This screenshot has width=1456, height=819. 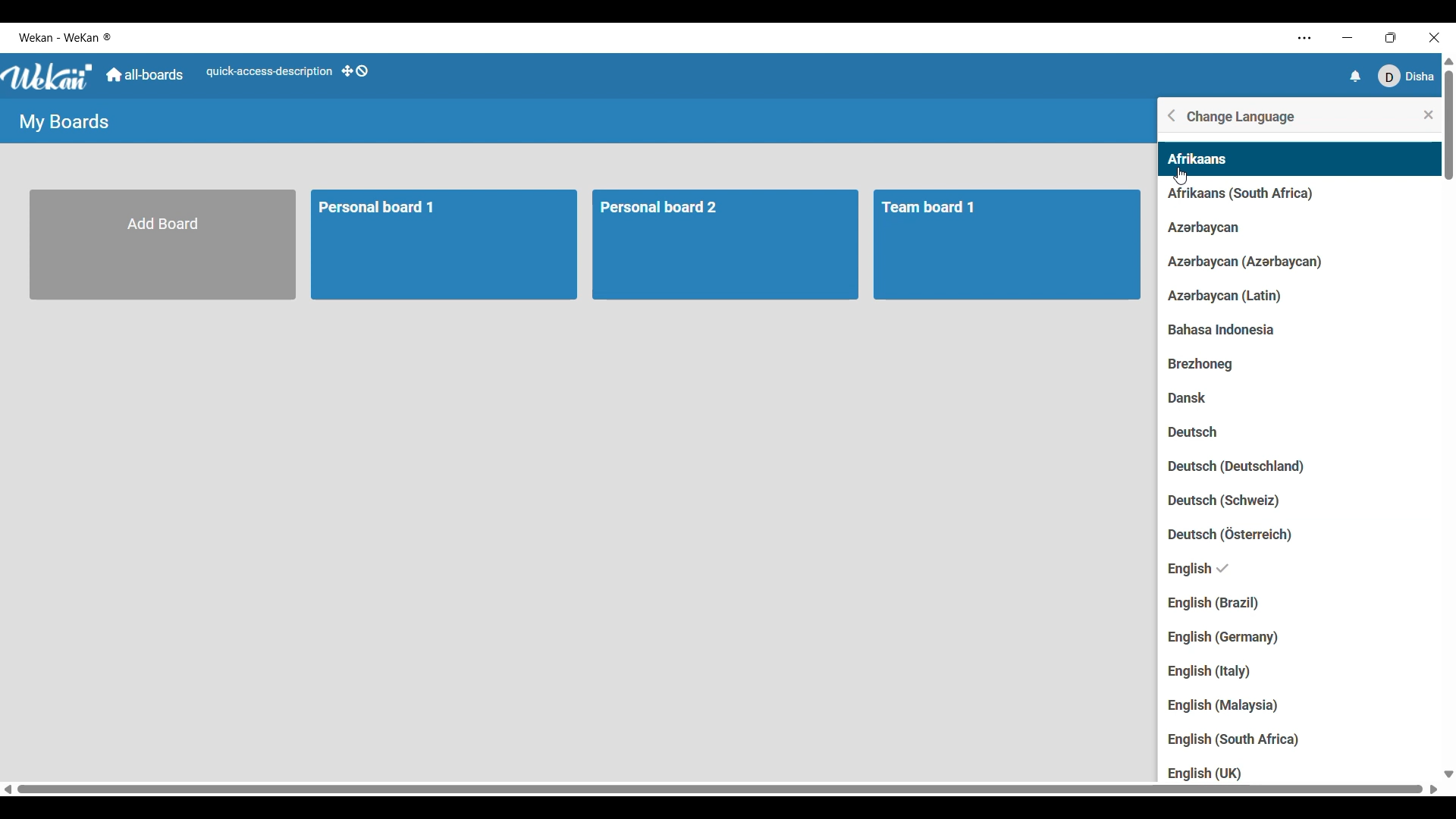 What do you see at coordinates (1222, 639) in the screenshot?
I see `English (Germany)` at bounding box center [1222, 639].